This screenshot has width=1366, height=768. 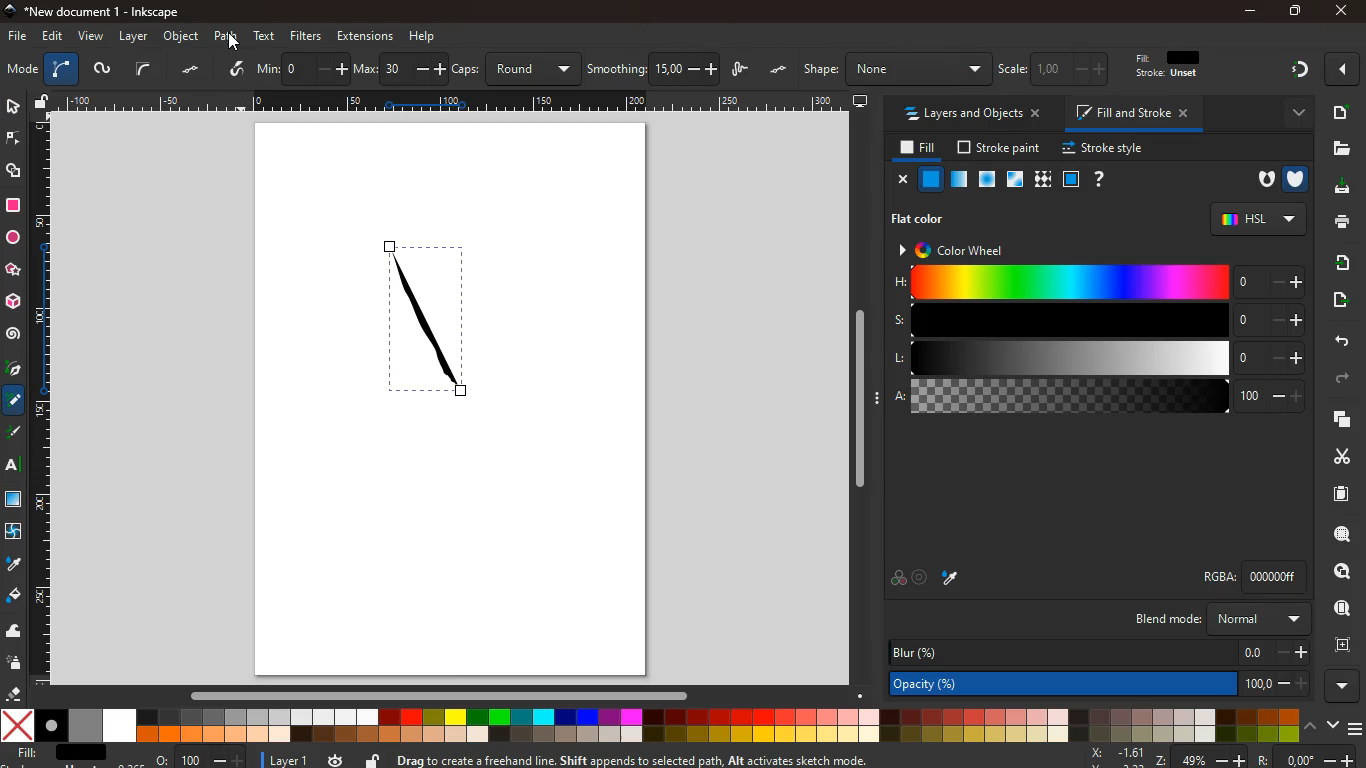 What do you see at coordinates (896, 69) in the screenshot?
I see `shape` at bounding box center [896, 69].